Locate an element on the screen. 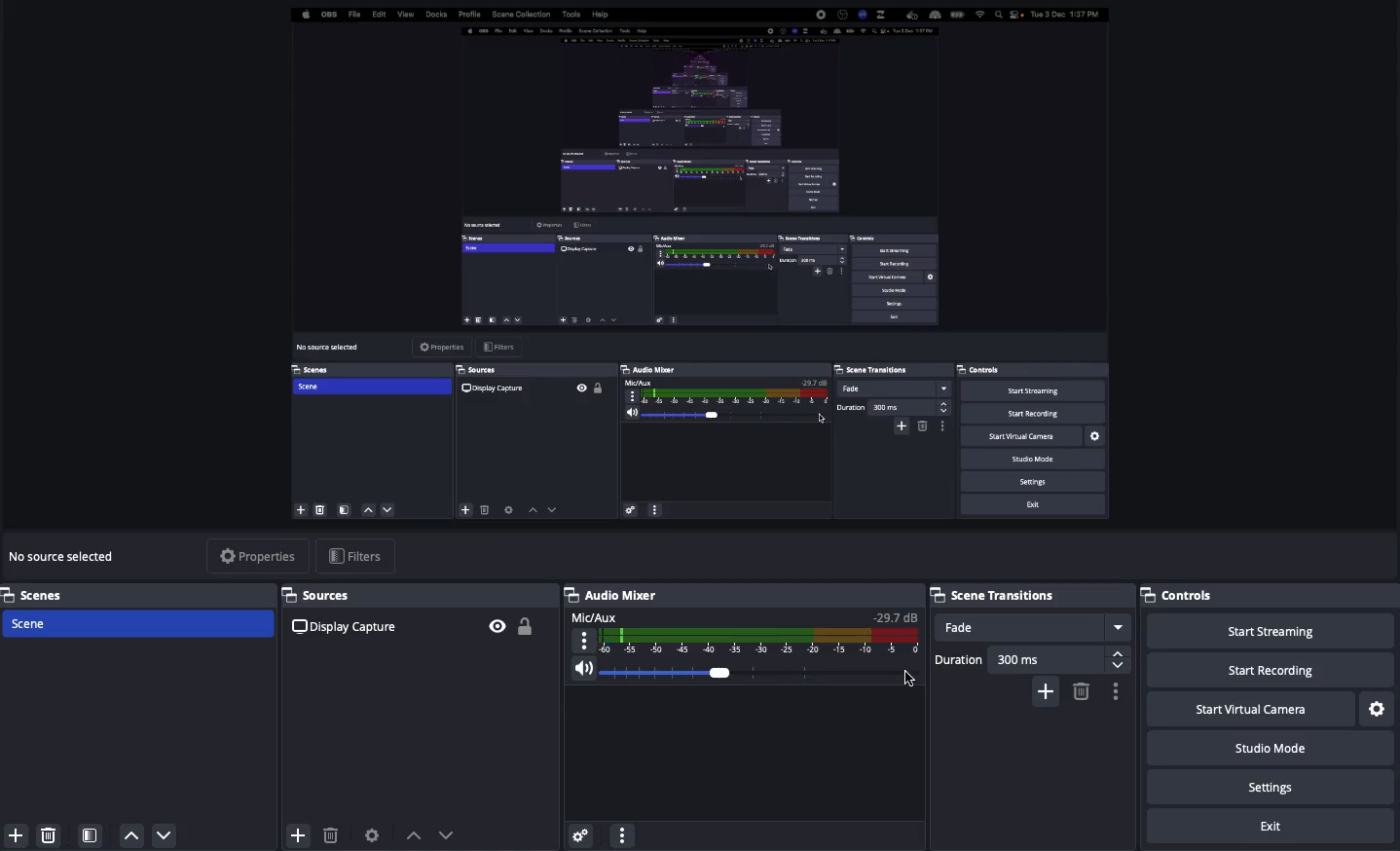 Image resolution: width=1400 pixels, height=851 pixels. Cursor is located at coordinates (906, 677).